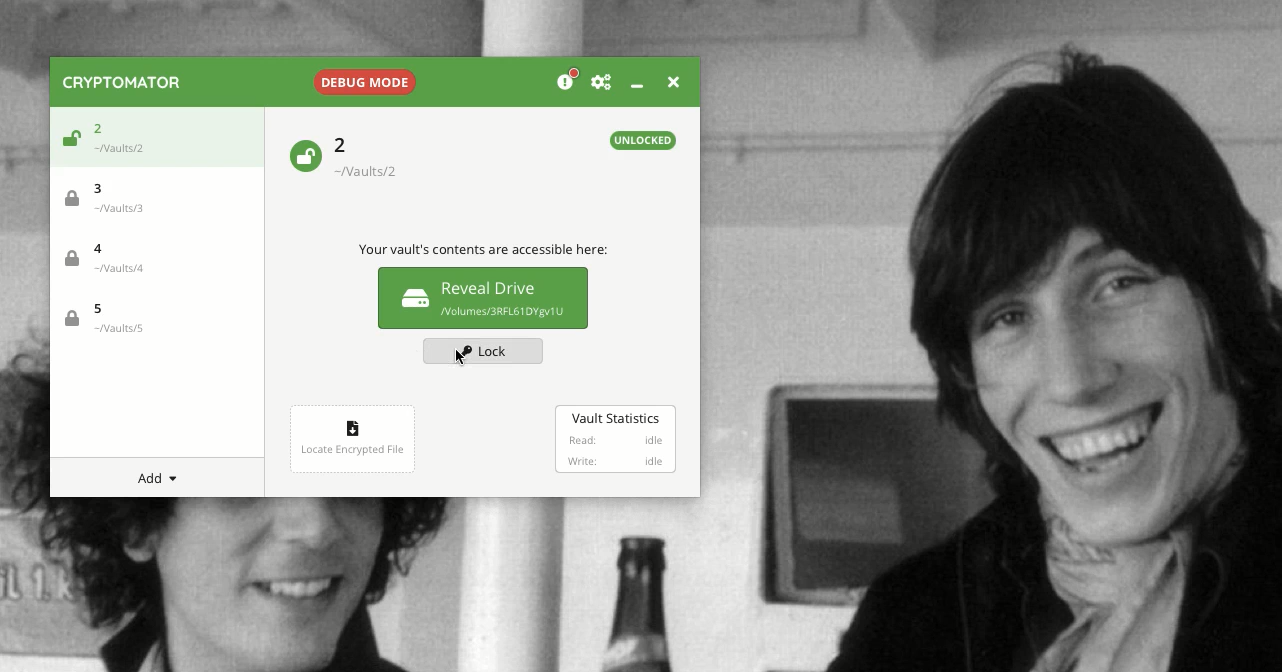  I want to click on Reveal drive, so click(483, 297).